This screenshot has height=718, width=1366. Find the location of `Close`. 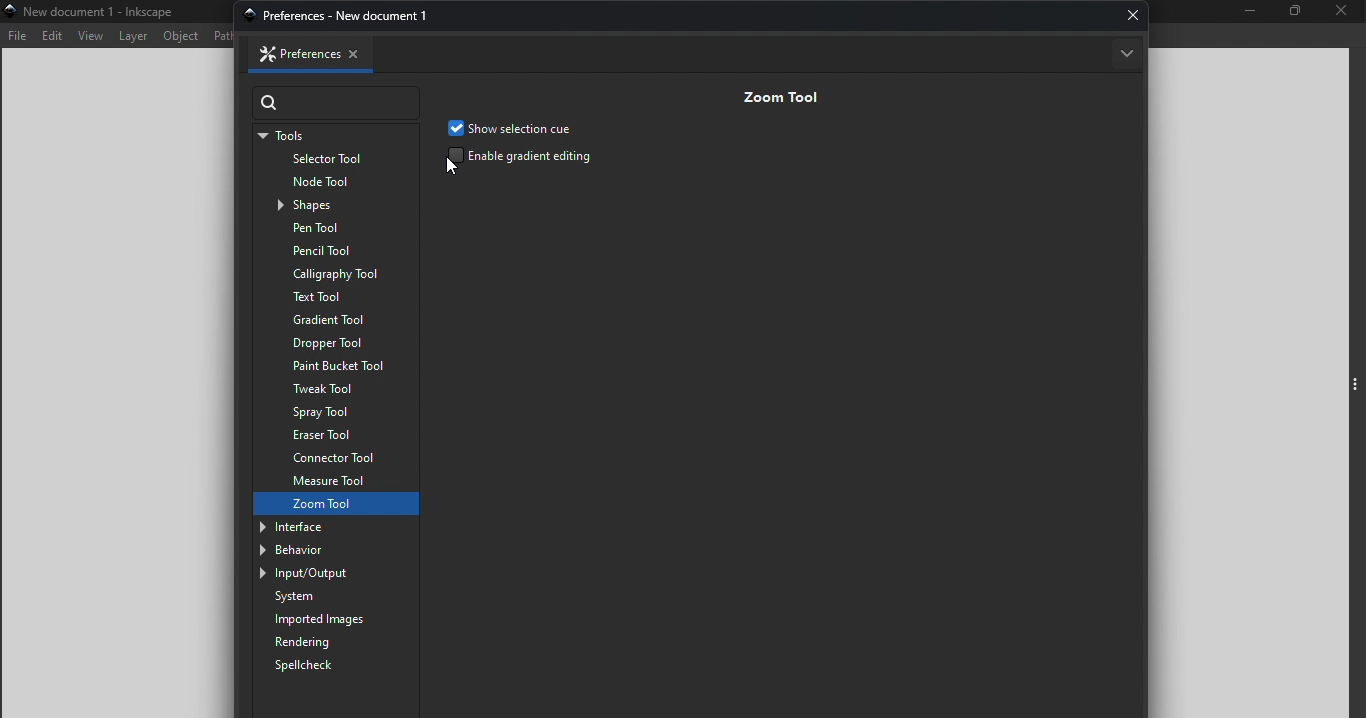

Close is located at coordinates (357, 55).